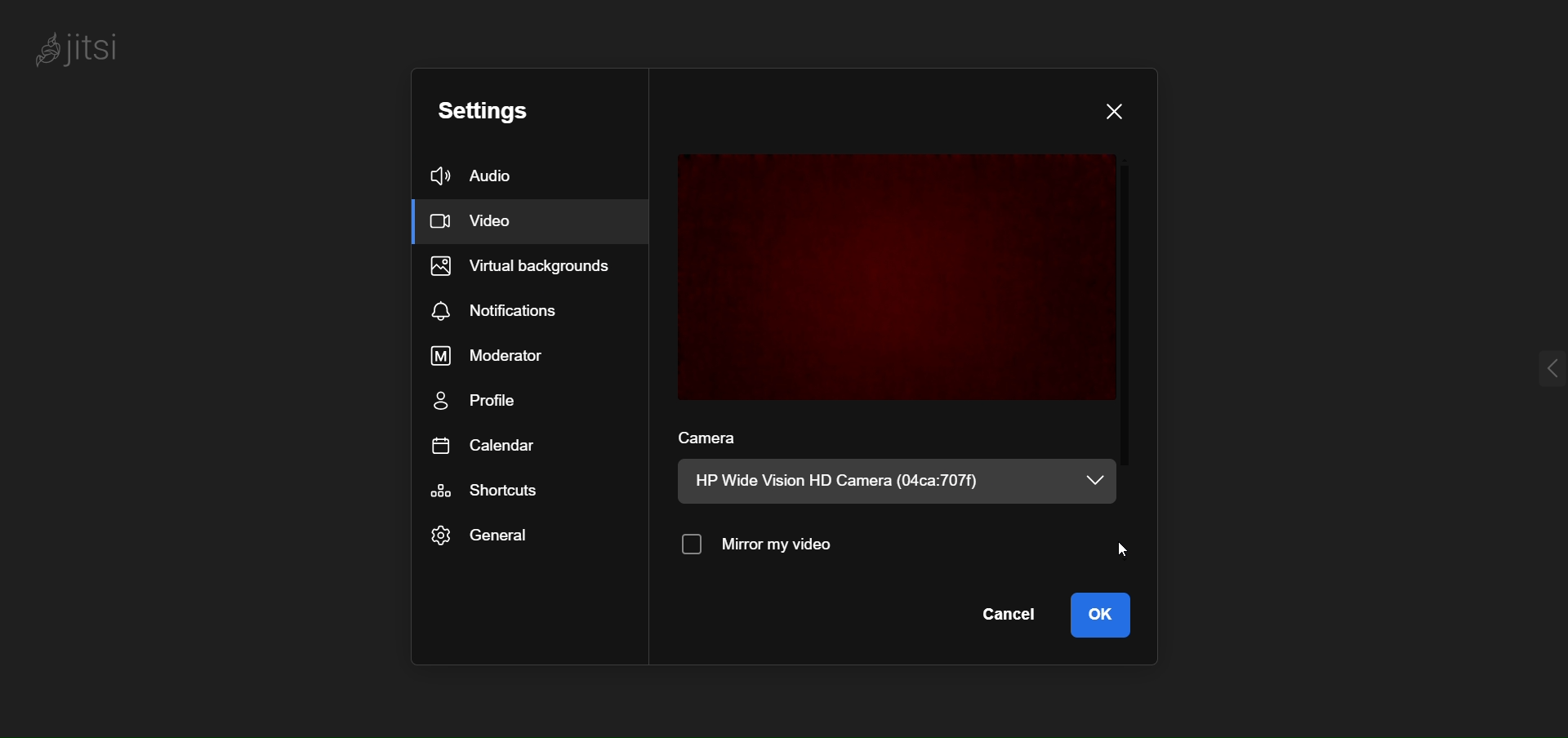 This screenshot has height=738, width=1568. I want to click on notification, so click(505, 309).